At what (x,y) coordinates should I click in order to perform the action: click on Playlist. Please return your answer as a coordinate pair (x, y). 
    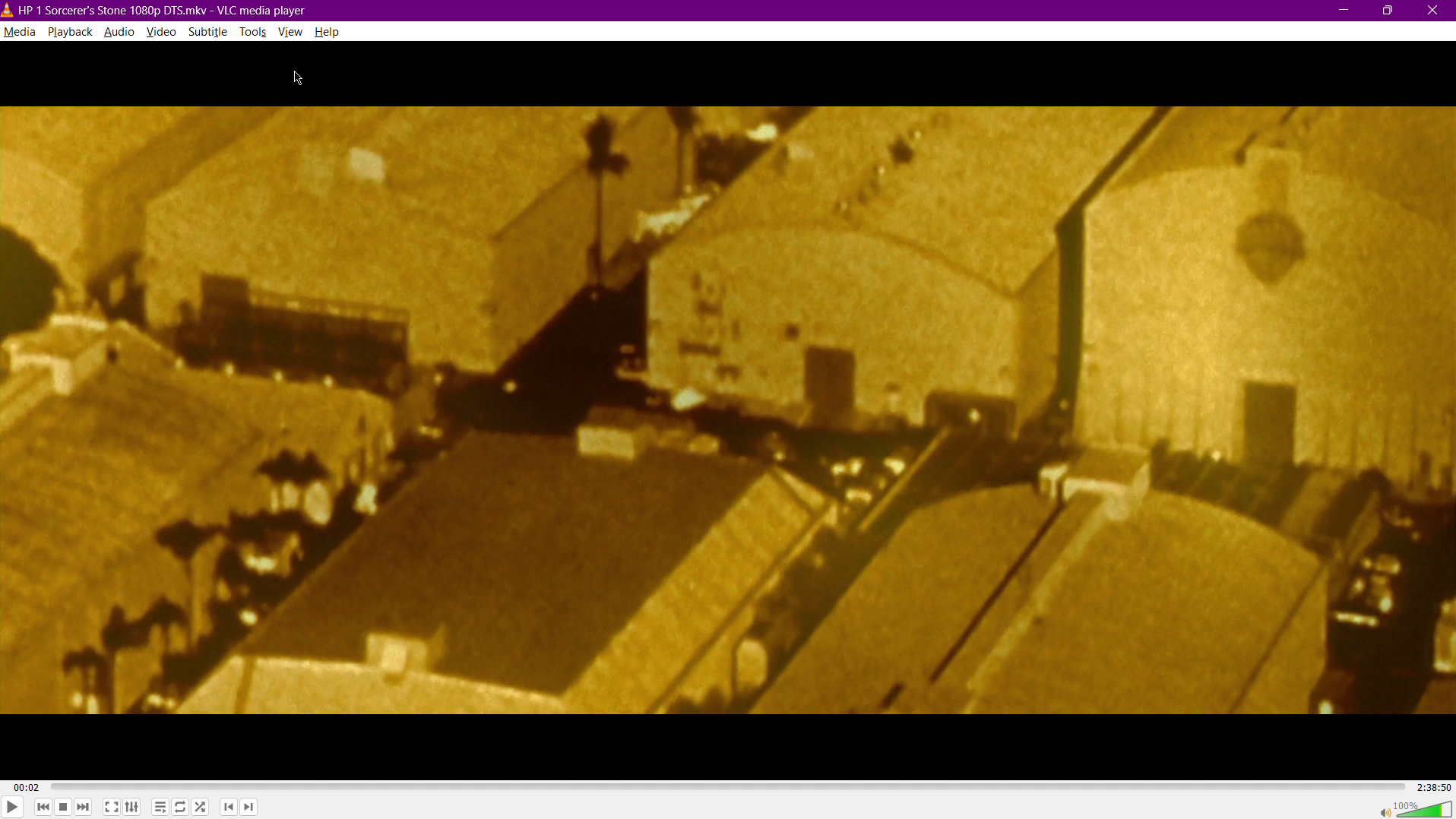
    Looking at the image, I should click on (158, 808).